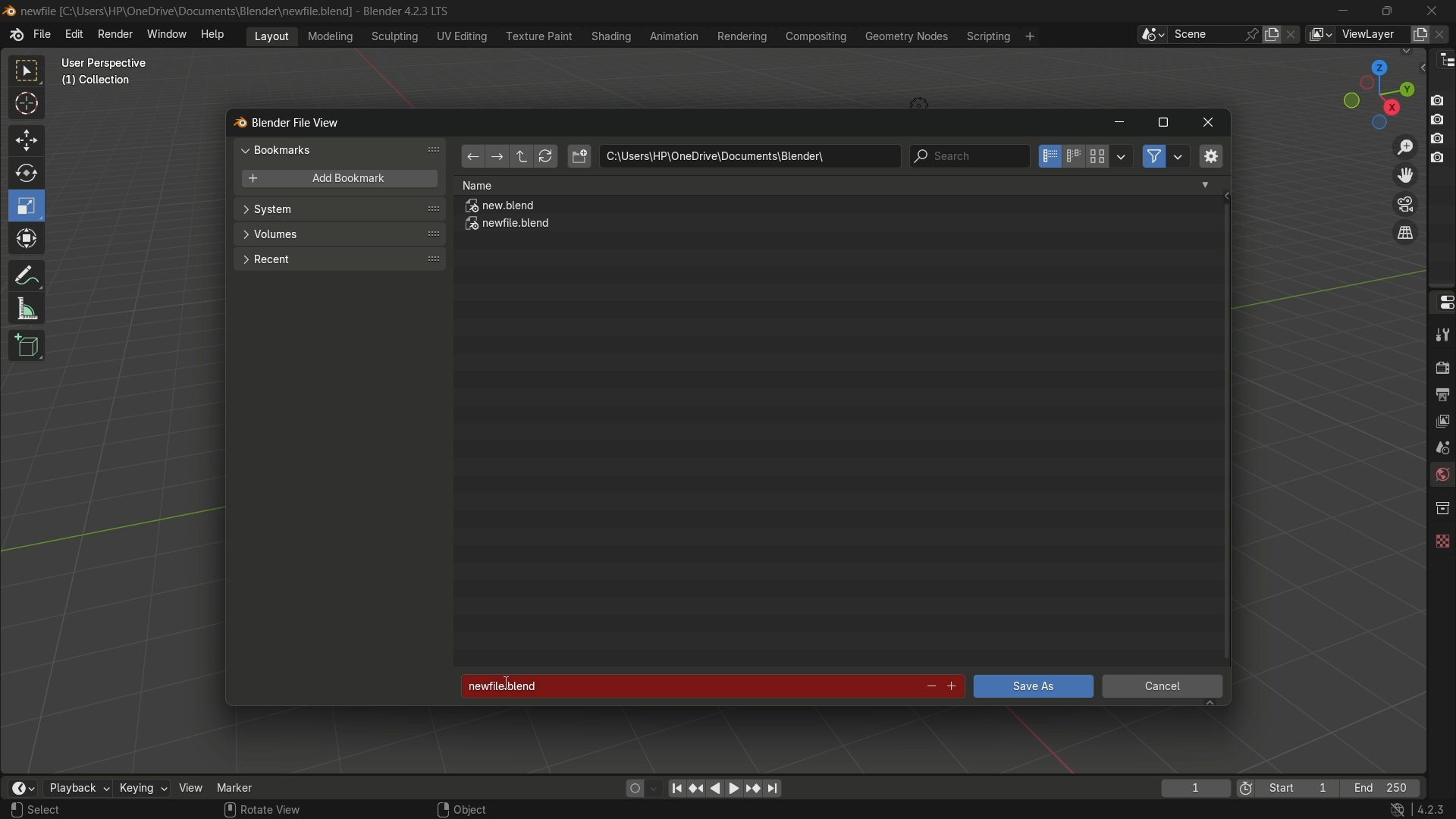  What do you see at coordinates (472, 158) in the screenshot?
I see `back` at bounding box center [472, 158].